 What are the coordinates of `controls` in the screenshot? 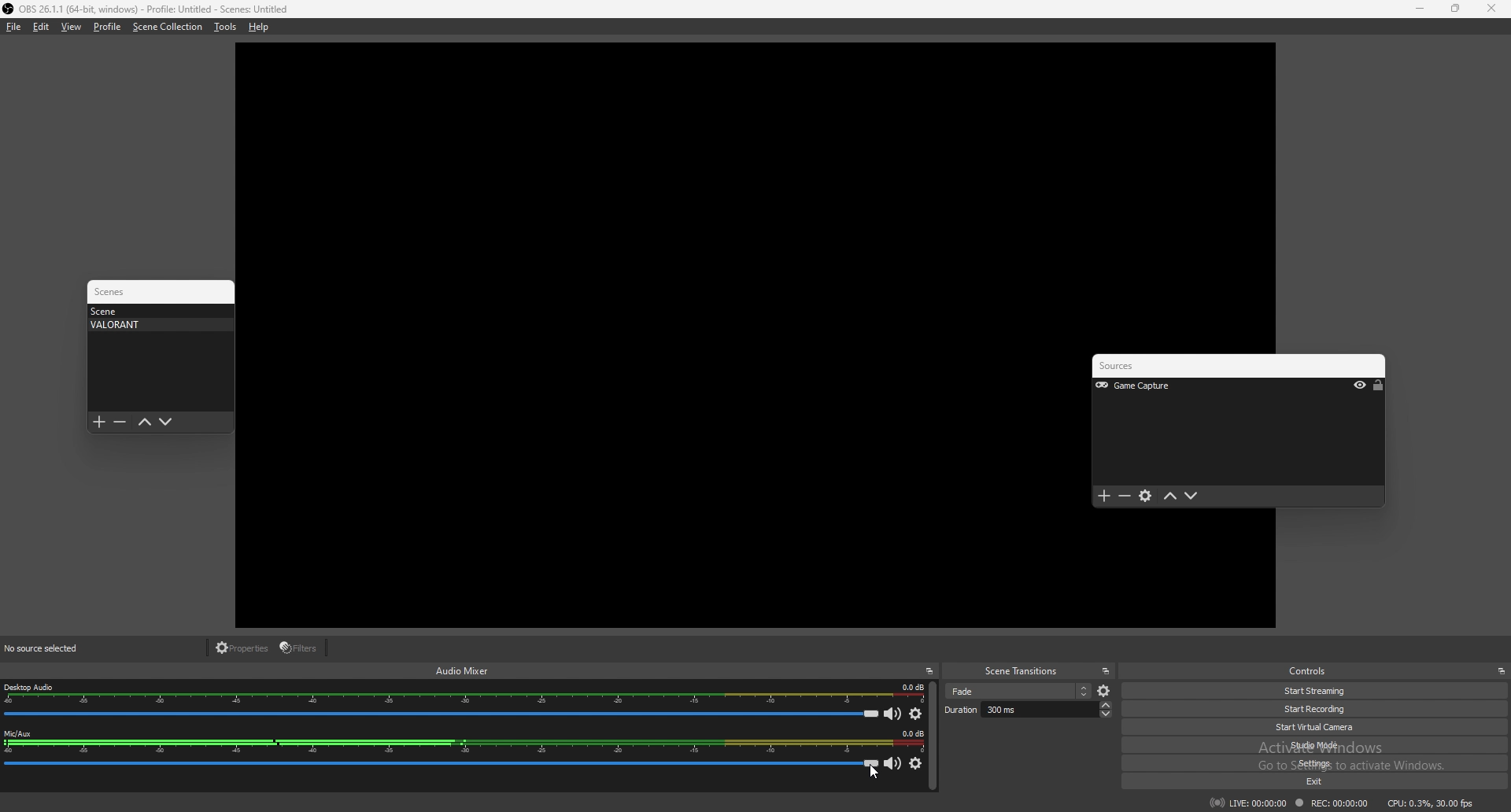 It's located at (1313, 670).